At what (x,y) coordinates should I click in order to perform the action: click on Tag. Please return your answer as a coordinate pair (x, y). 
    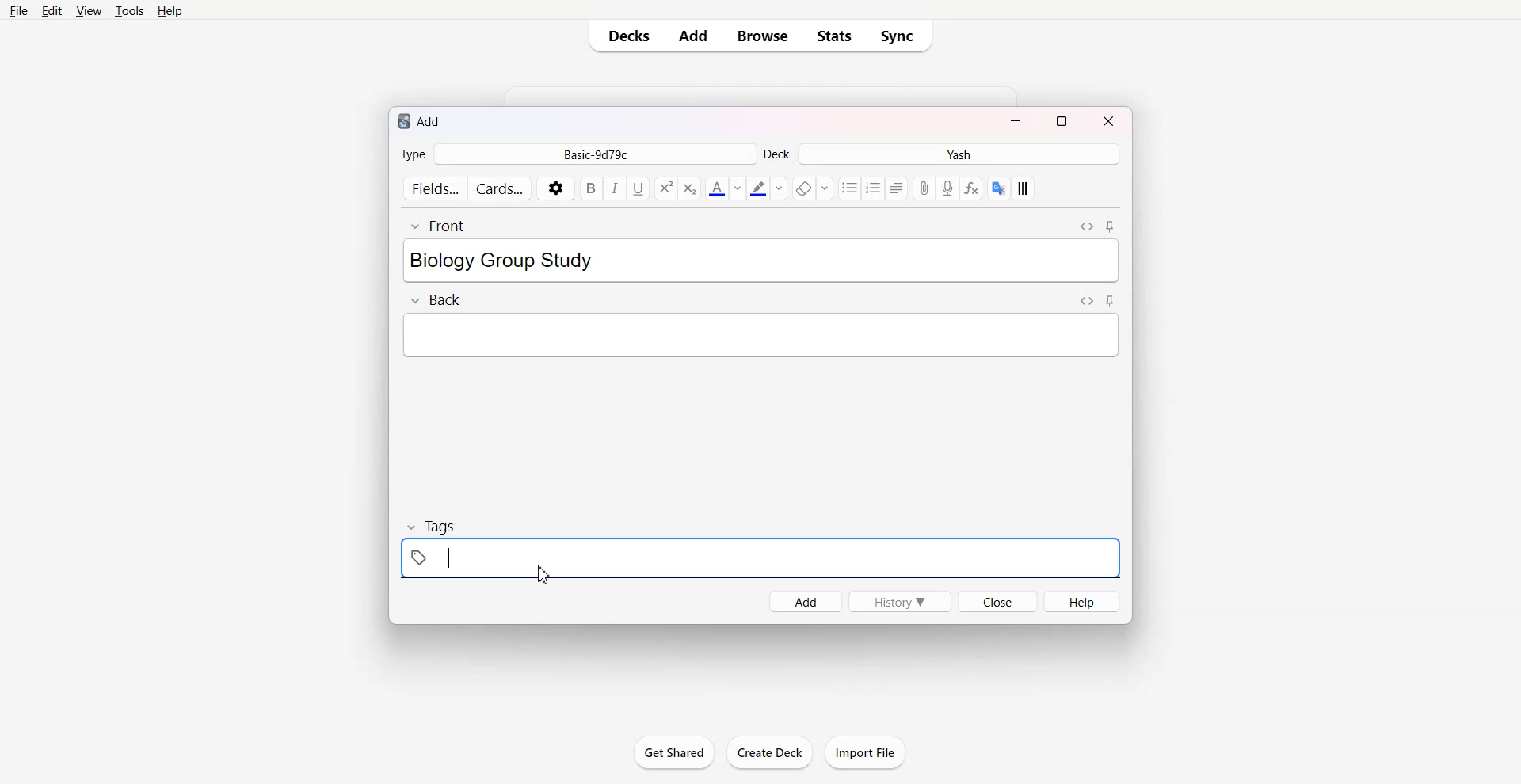
    Looking at the image, I should click on (433, 526).